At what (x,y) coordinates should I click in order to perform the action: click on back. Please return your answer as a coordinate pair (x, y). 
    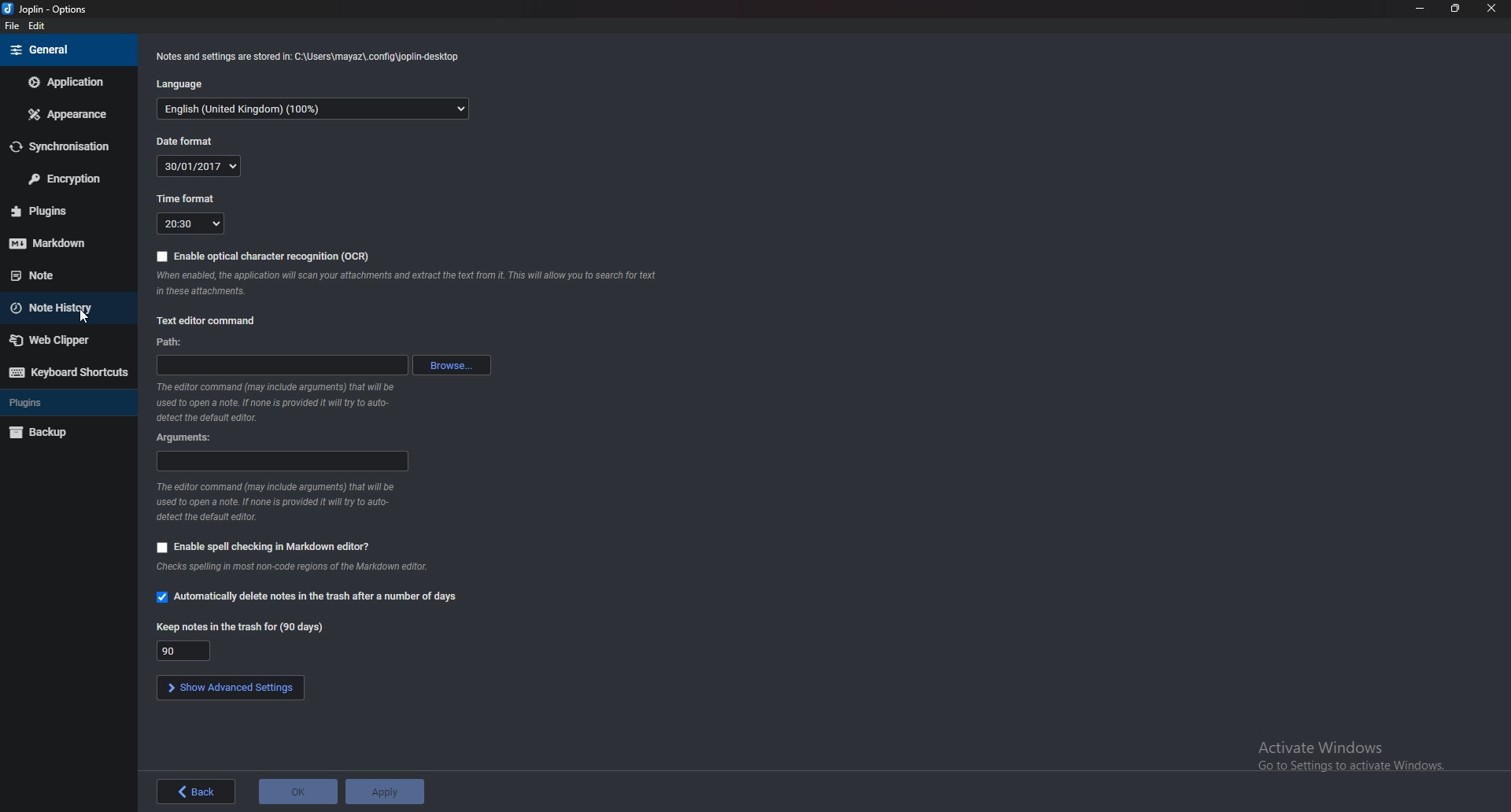
    Looking at the image, I should click on (196, 792).